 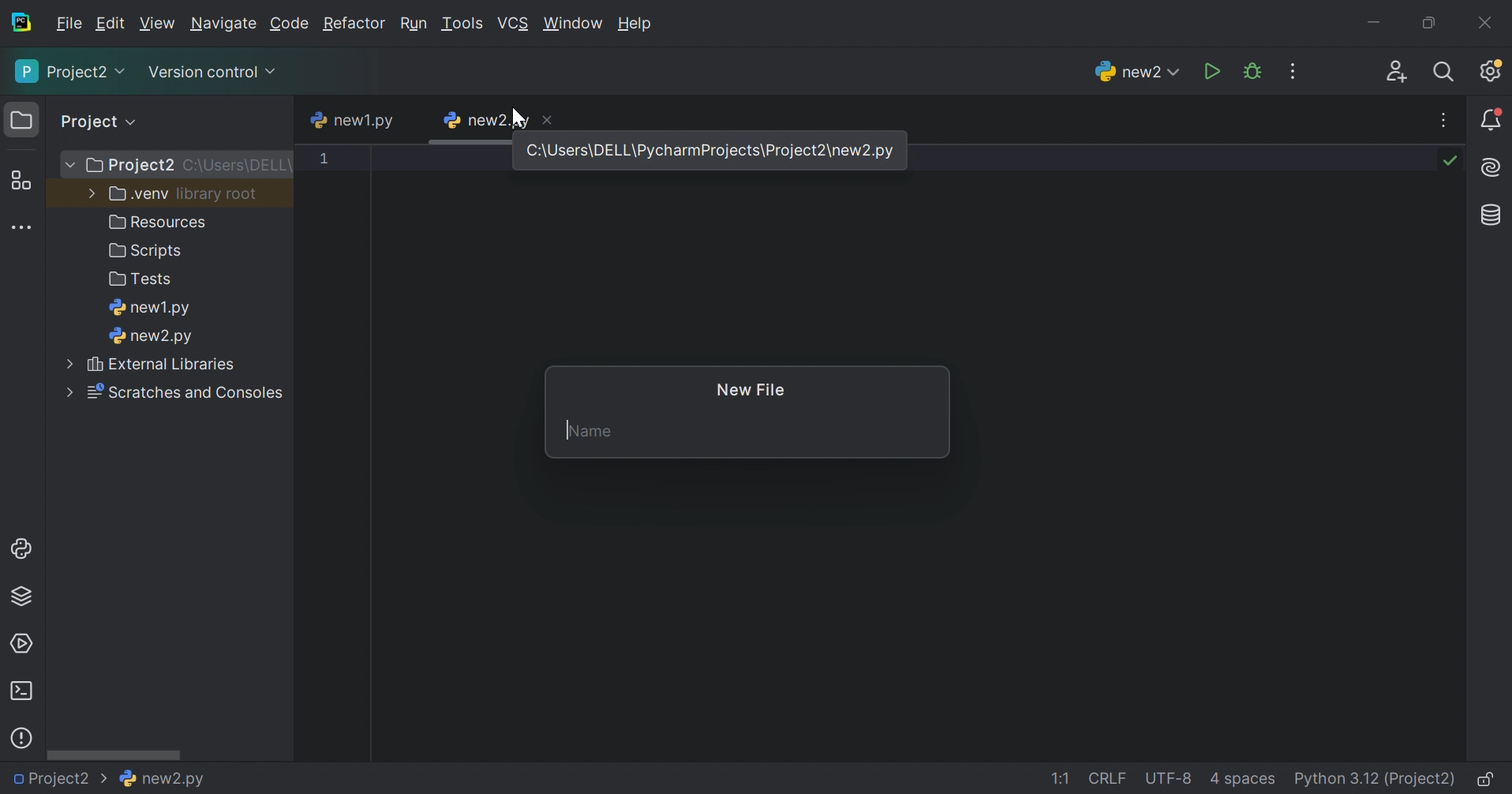 I want to click on .venv, so click(x=137, y=195).